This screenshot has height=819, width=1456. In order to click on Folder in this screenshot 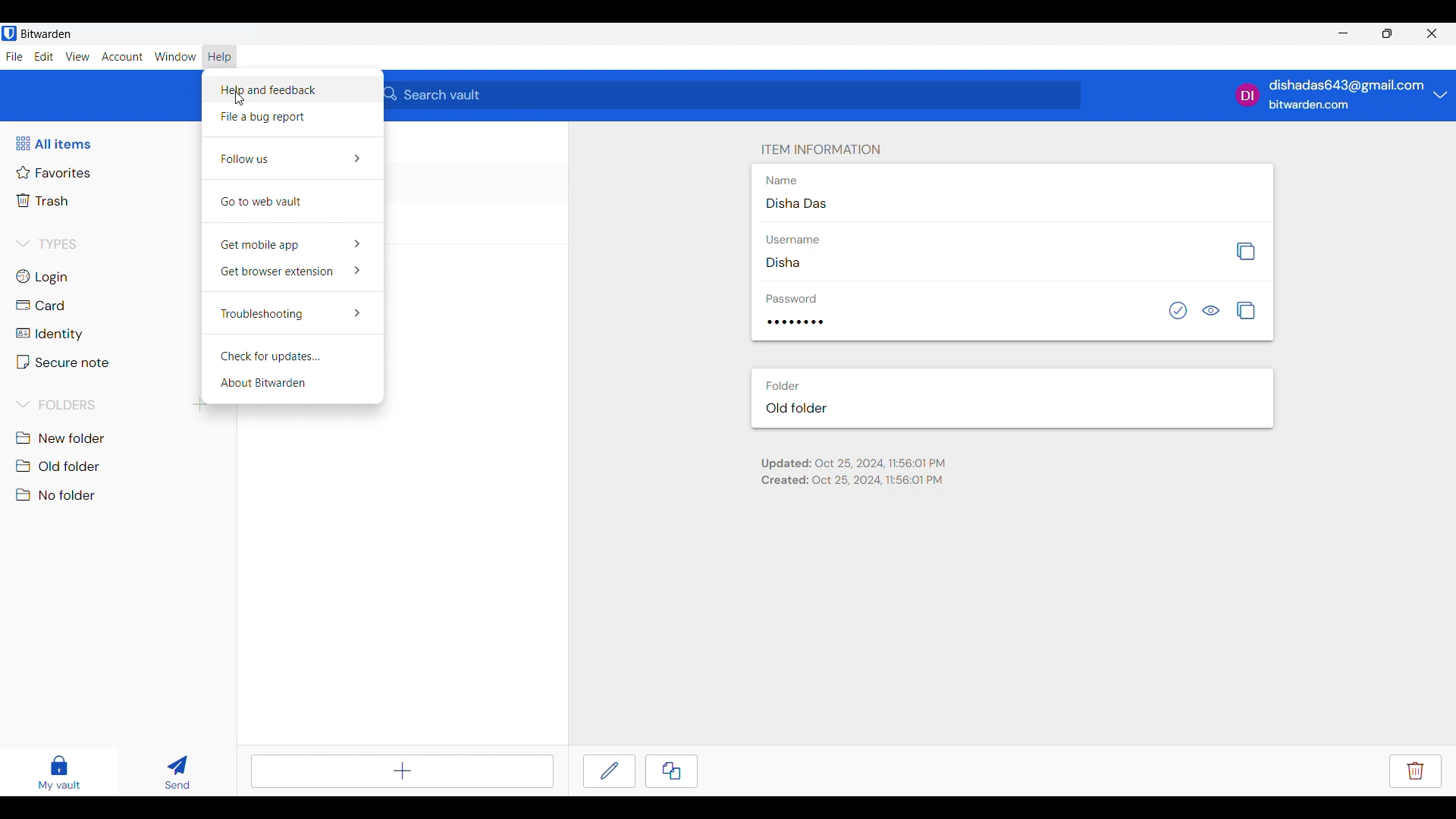, I will do `click(782, 386)`.